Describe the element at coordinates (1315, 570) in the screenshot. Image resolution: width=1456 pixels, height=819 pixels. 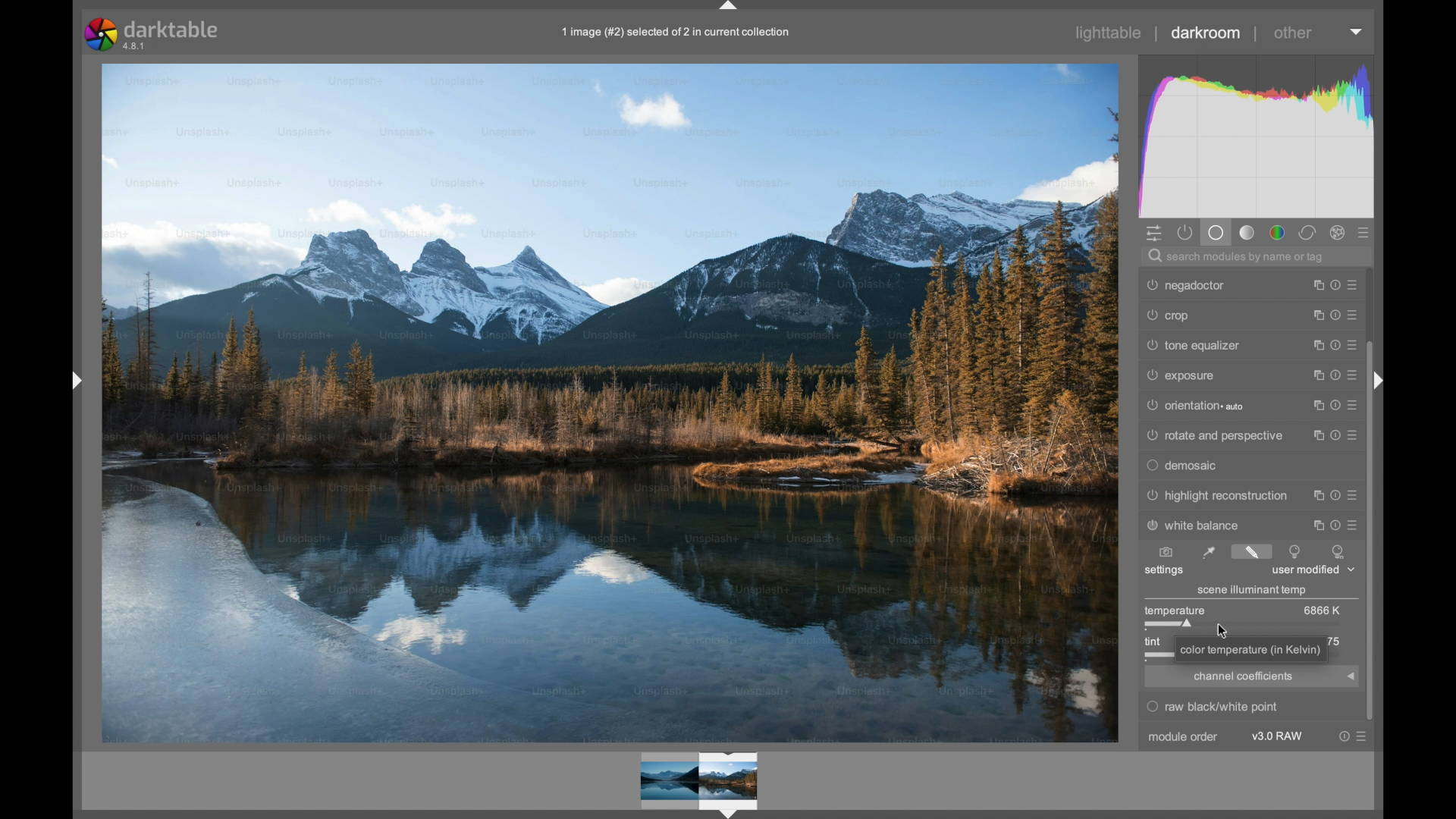
I see `user modified dropdown` at that location.